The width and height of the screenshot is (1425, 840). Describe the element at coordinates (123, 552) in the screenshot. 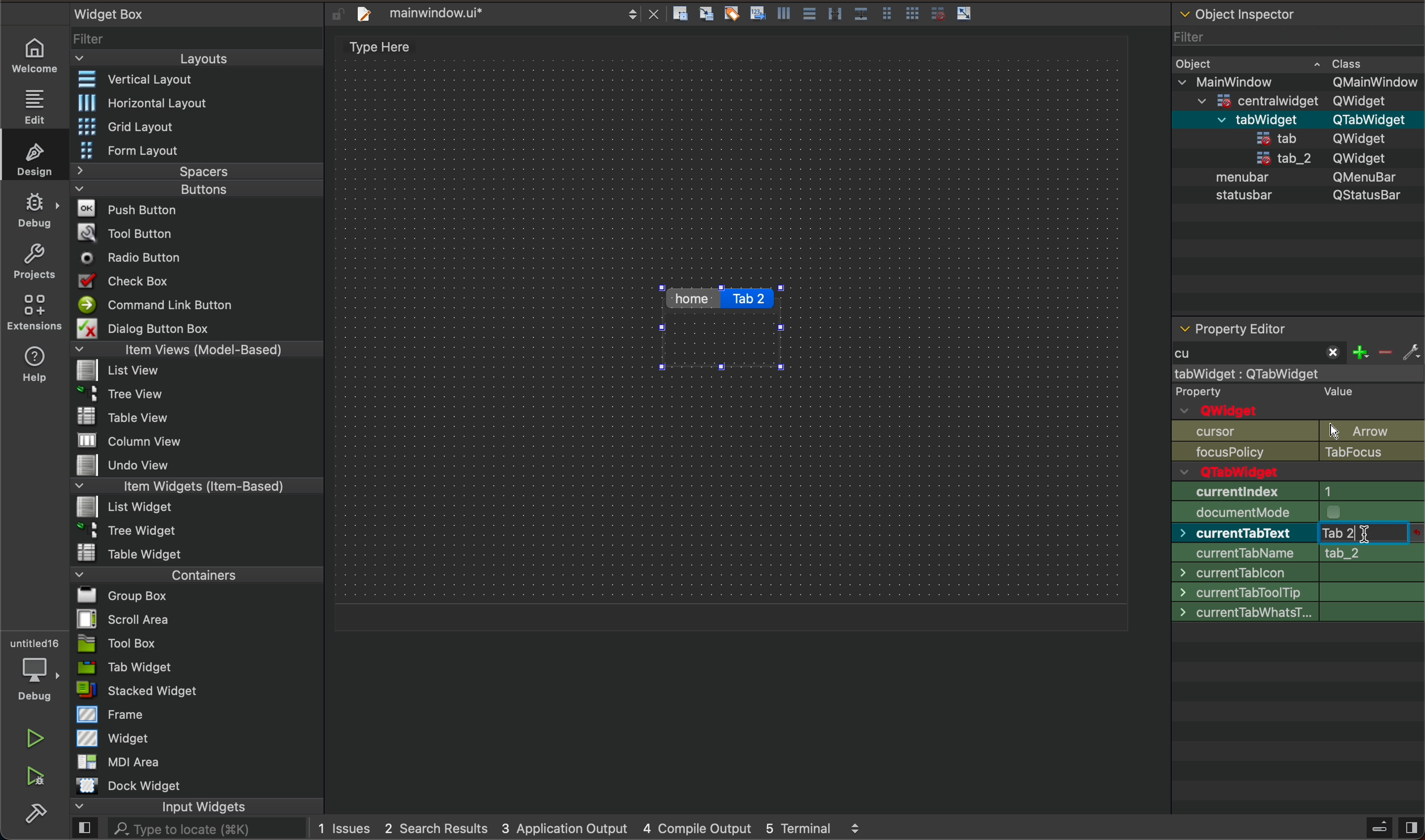

I see `Table Widget` at that location.